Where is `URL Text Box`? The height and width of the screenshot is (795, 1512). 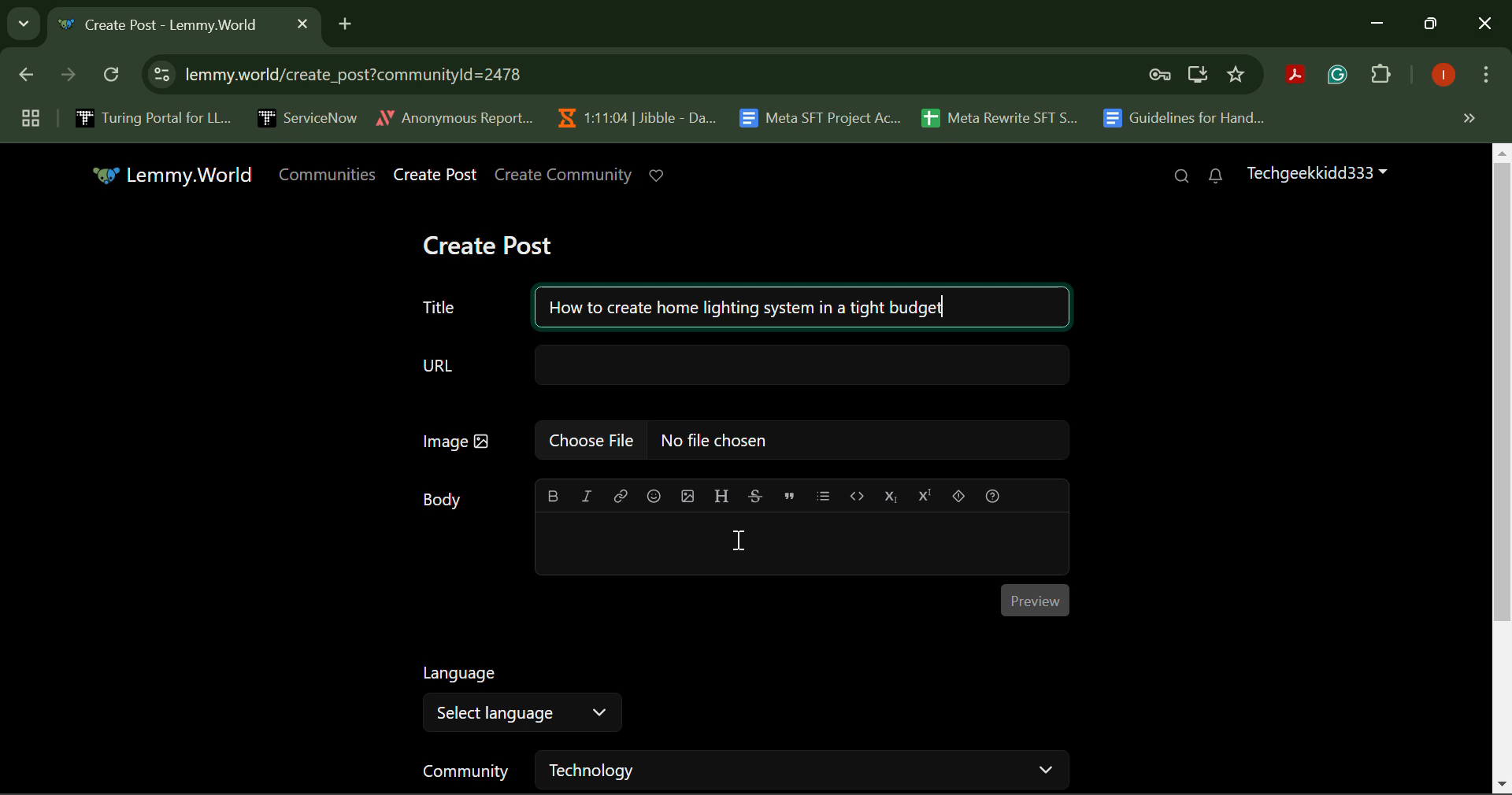
URL Text Box is located at coordinates (747, 364).